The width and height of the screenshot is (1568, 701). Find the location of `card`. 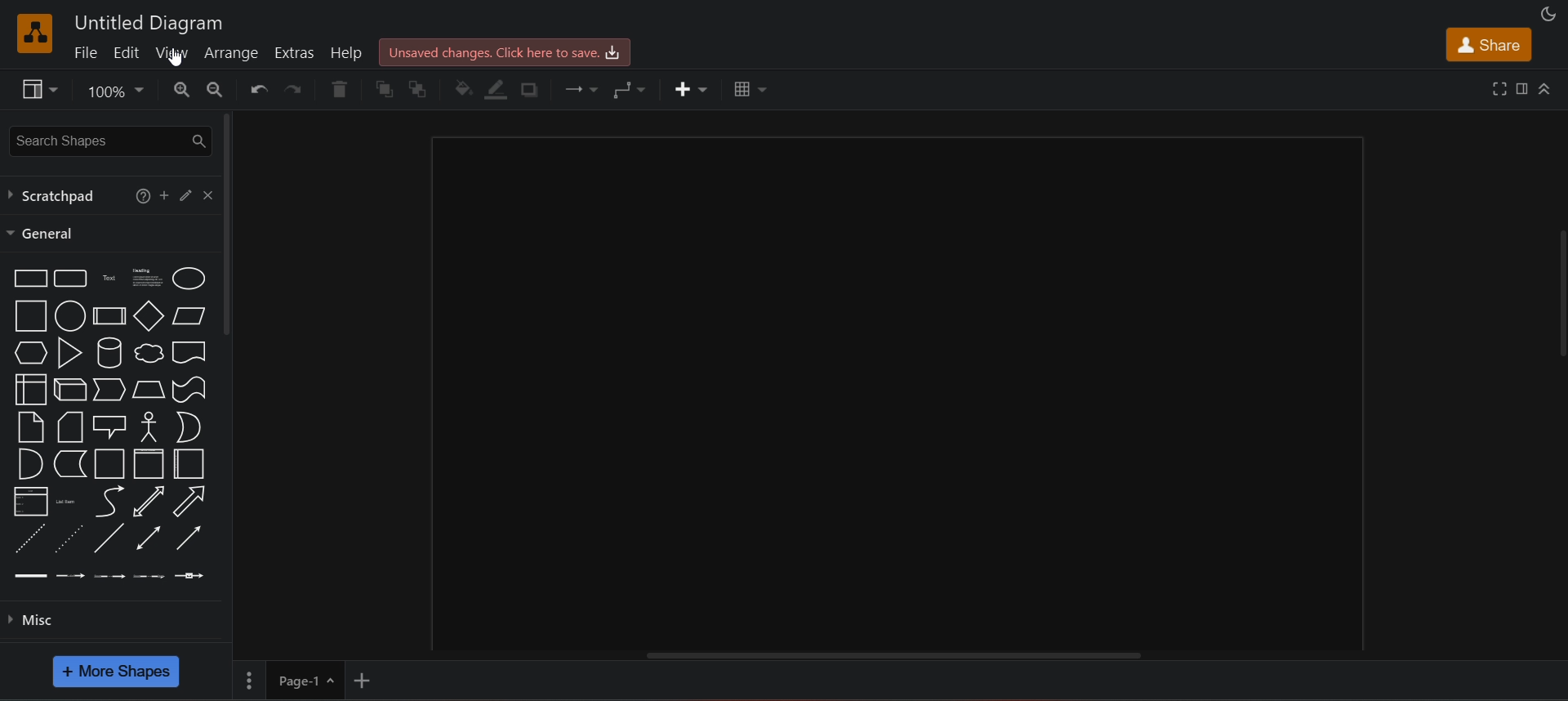

card is located at coordinates (70, 428).